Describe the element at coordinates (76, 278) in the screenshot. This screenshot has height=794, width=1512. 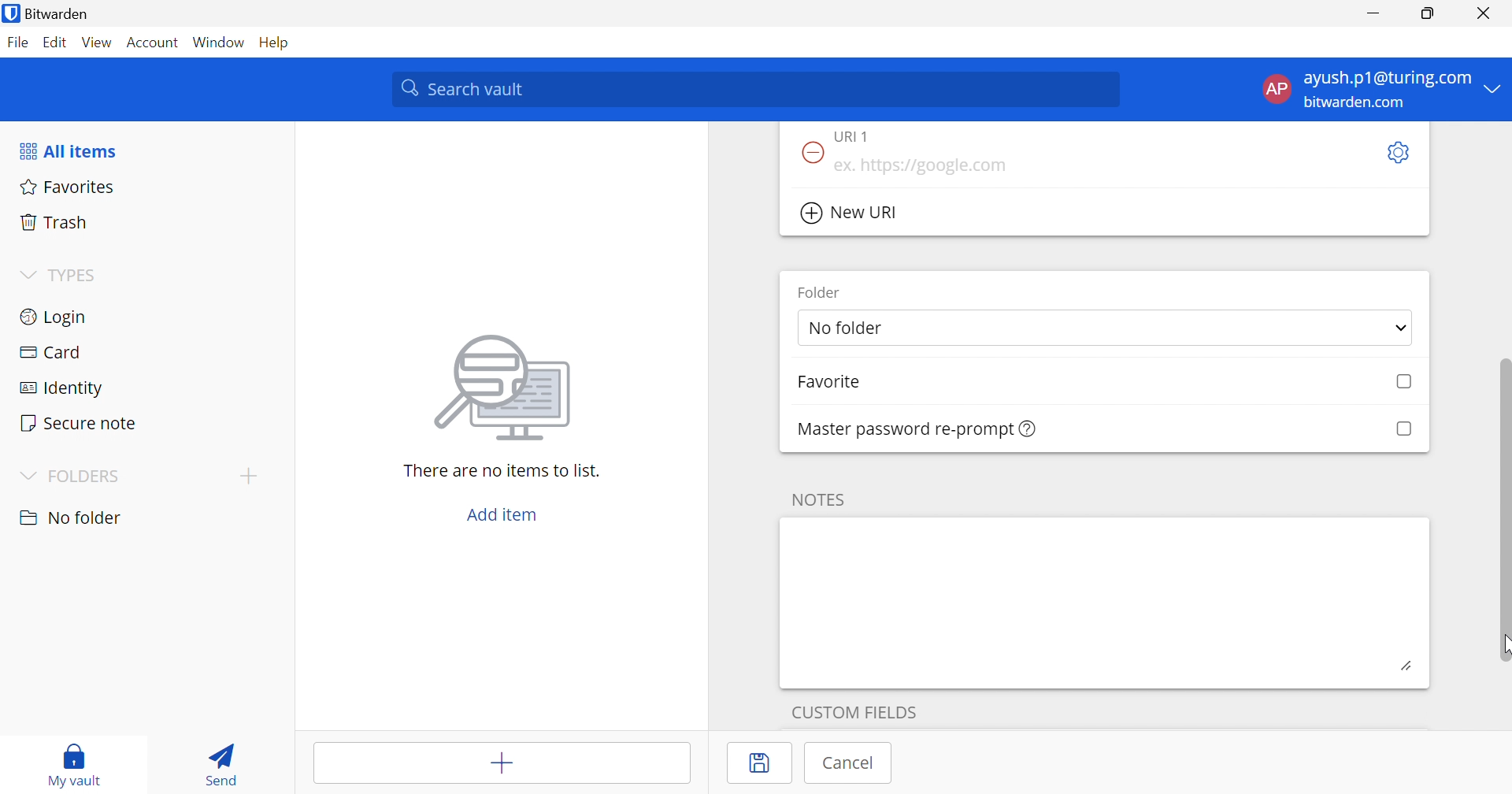
I see `TYPES` at that location.